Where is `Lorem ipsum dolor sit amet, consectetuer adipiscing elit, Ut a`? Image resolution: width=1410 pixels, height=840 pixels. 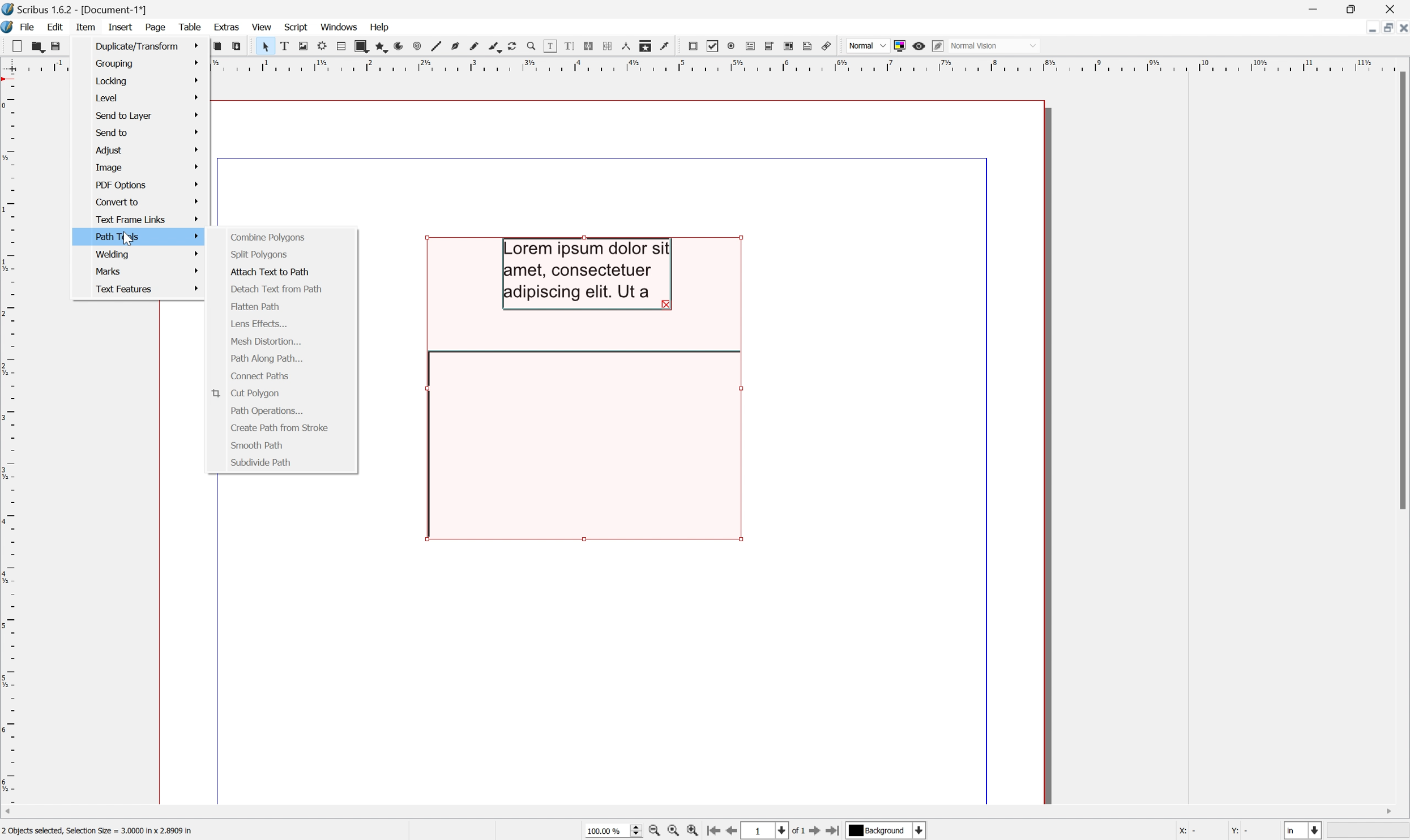
Lorem ipsum dolor sit amet, consectetuer adipiscing elit, Ut a is located at coordinates (589, 274).